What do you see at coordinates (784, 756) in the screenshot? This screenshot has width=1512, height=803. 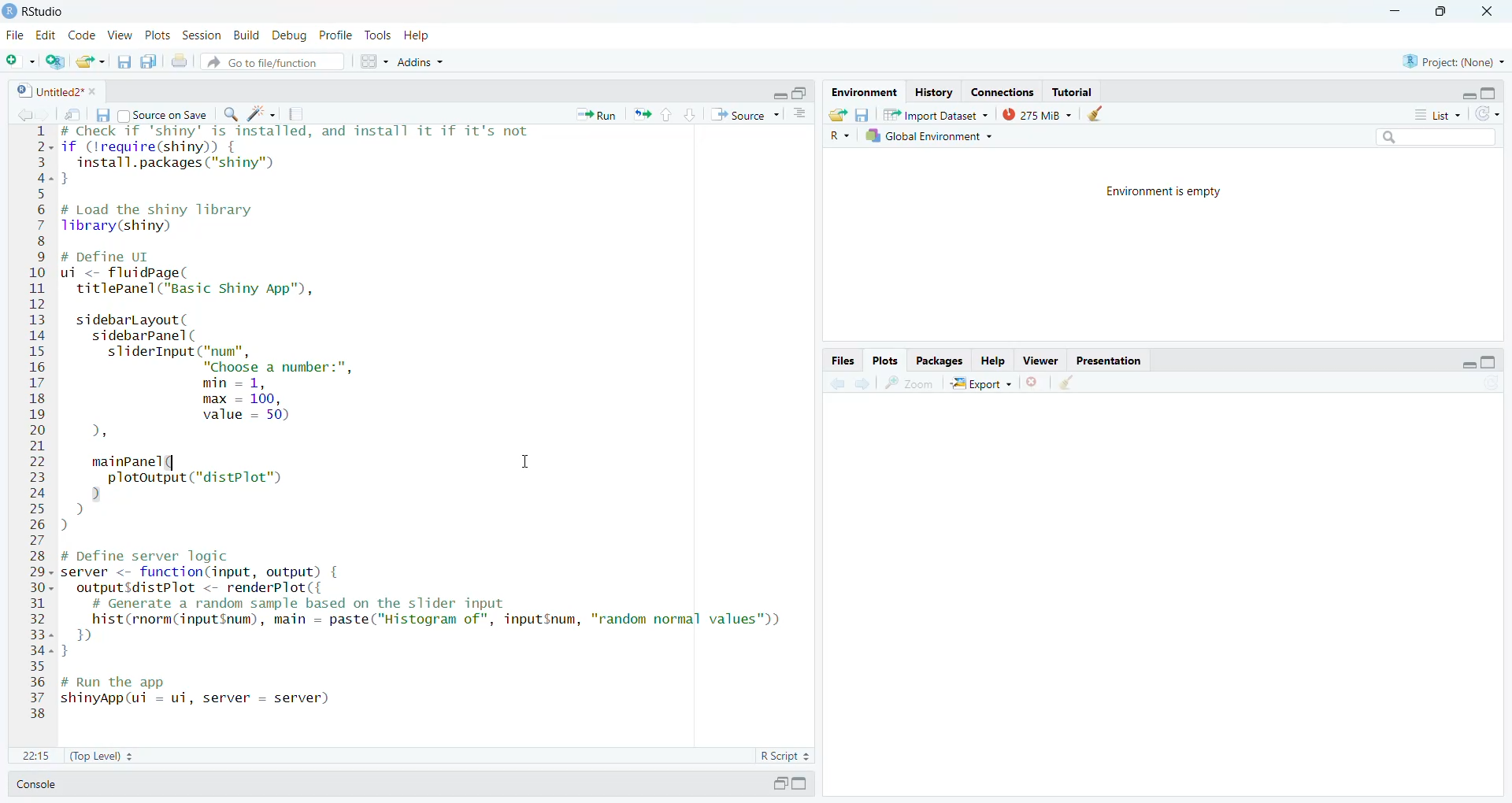 I see `R Script` at bounding box center [784, 756].